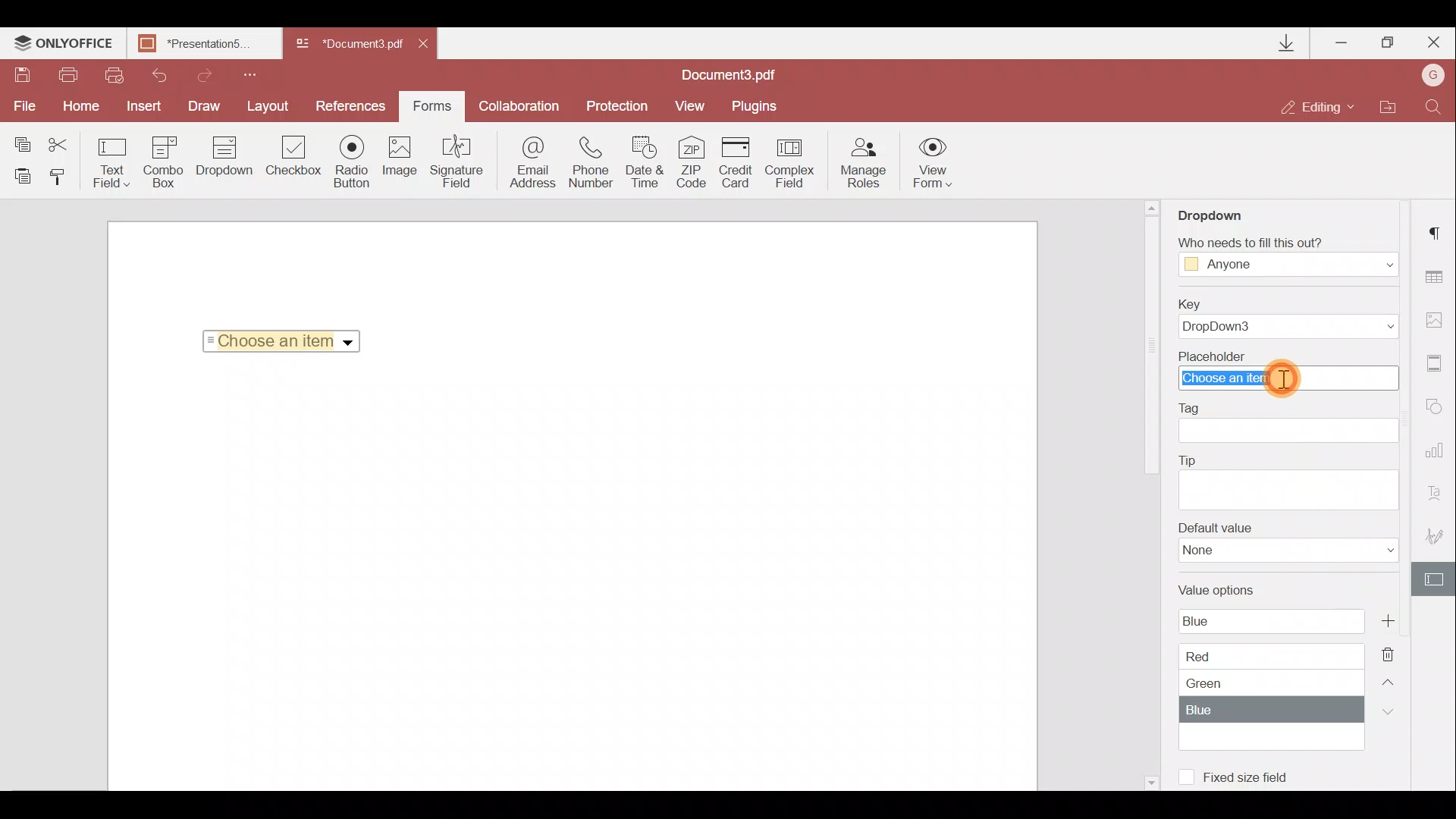 This screenshot has height=819, width=1456. What do you see at coordinates (756, 107) in the screenshot?
I see `Plugins` at bounding box center [756, 107].